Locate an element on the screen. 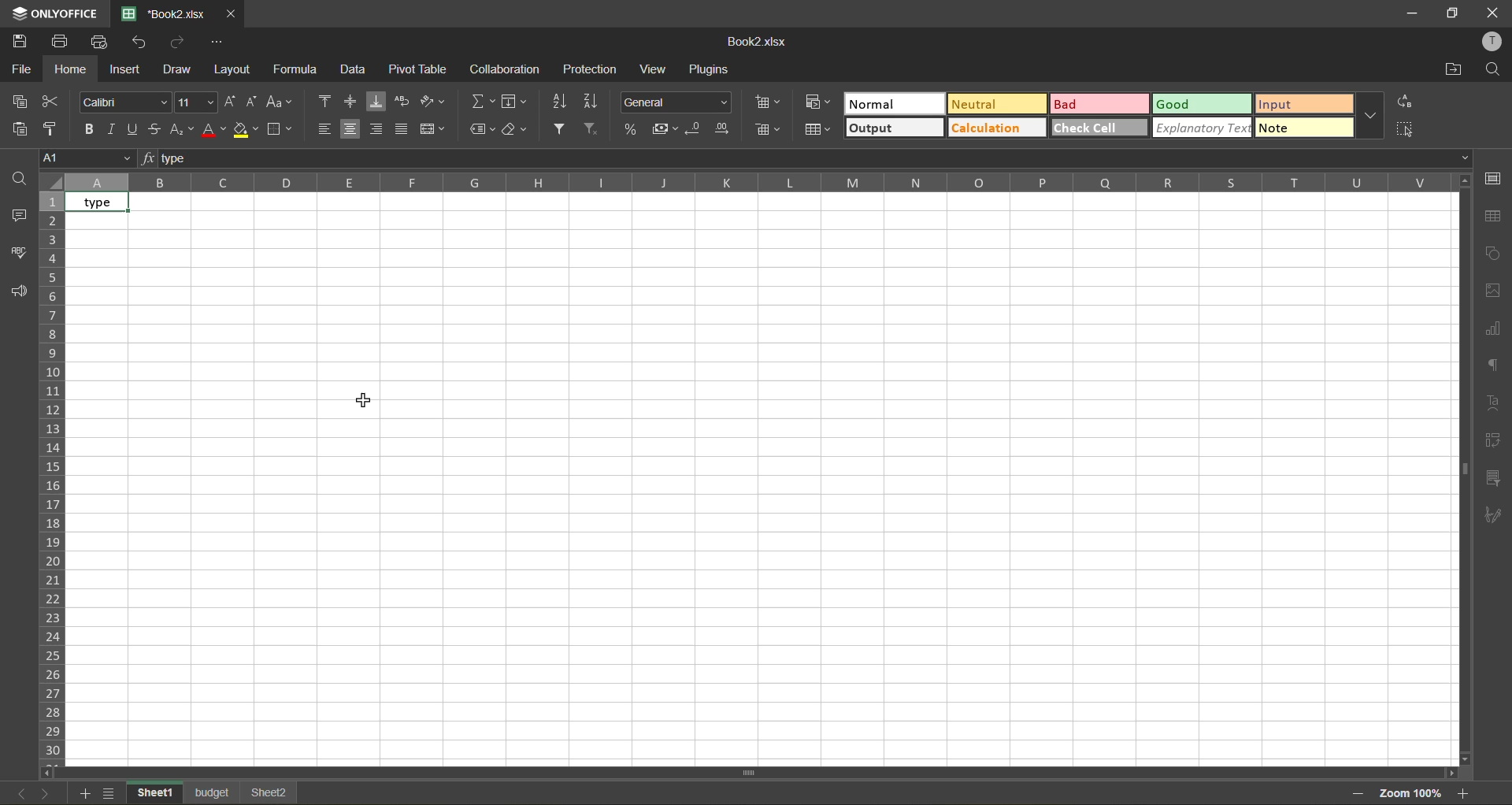 This screenshot has width=1512, height=805. accounting is located at coordinates (666, 127).